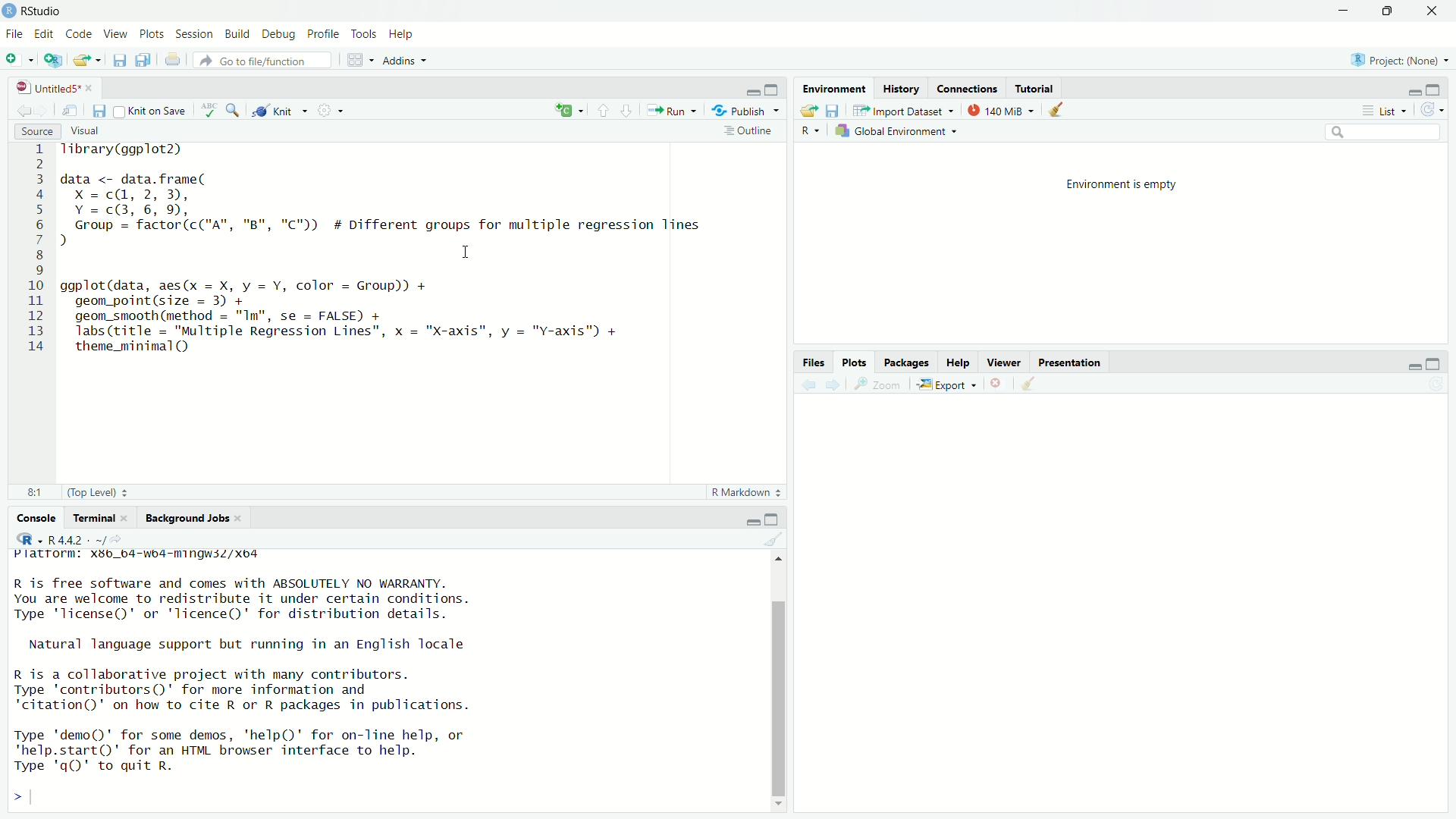 The width and height of the screenshot is (1456, 819). What do you see at coordinates (45, 35) in the screenshot?
I see `Edit` at bounding box center [45, 35].